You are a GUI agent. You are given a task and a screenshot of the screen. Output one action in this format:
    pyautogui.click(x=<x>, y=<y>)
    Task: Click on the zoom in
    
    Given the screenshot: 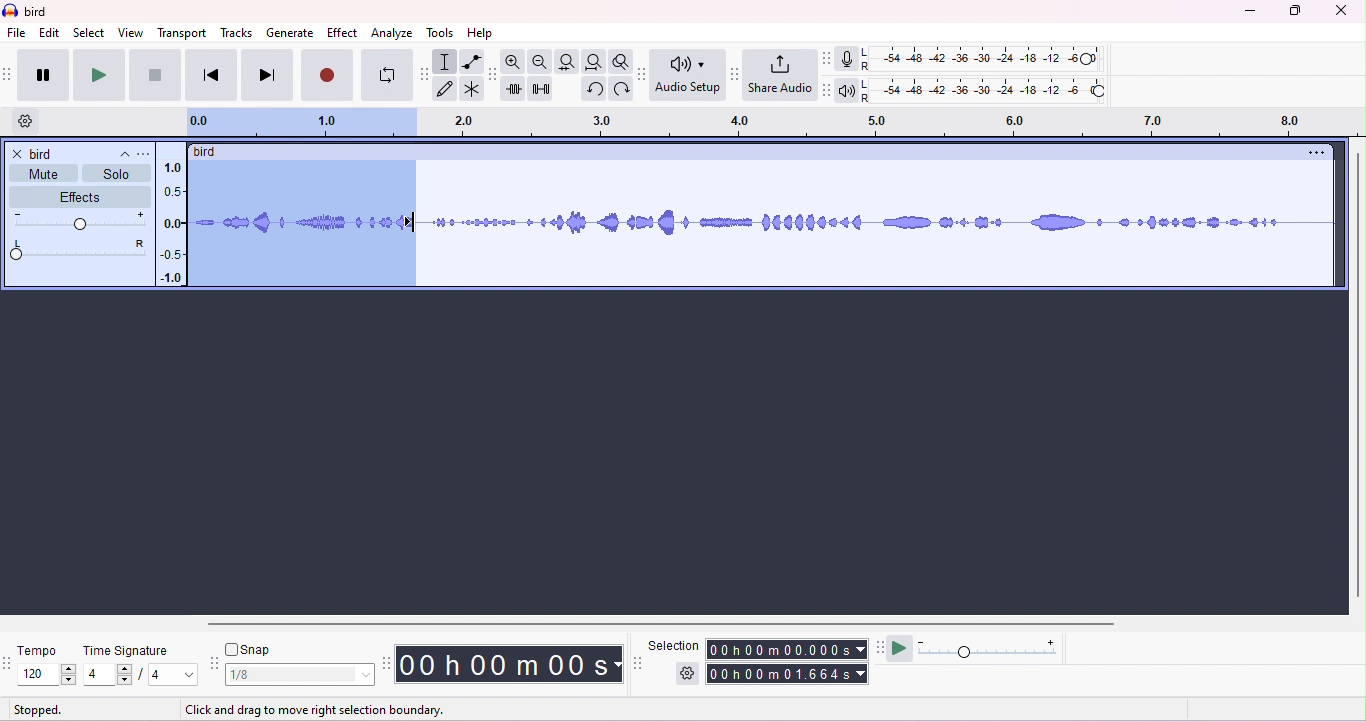 What is the action you would take?
    pyautogui.click(x=515, y=60)
    